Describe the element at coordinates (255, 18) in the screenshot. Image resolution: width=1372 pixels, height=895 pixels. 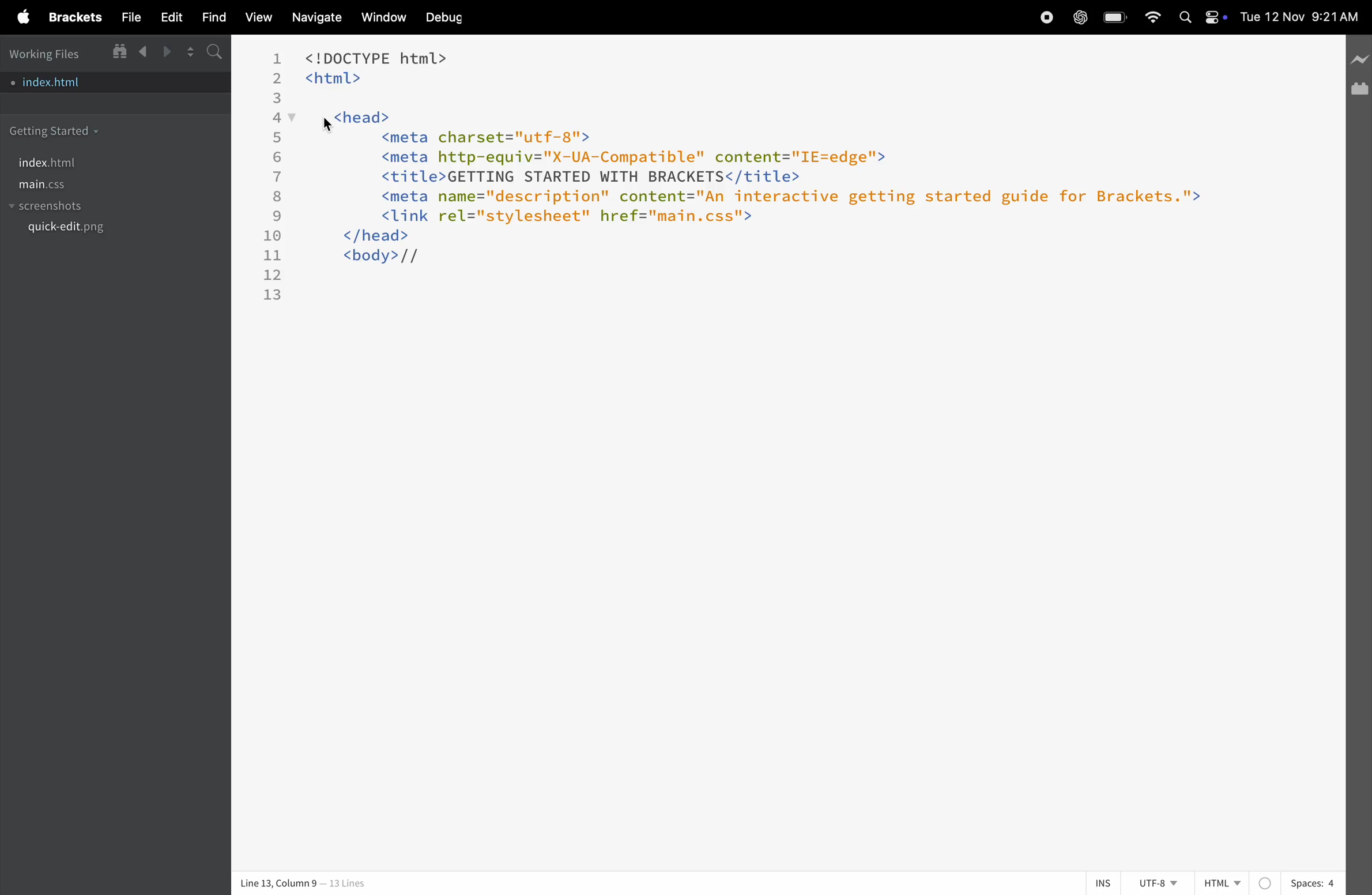
I see `view` at that location.